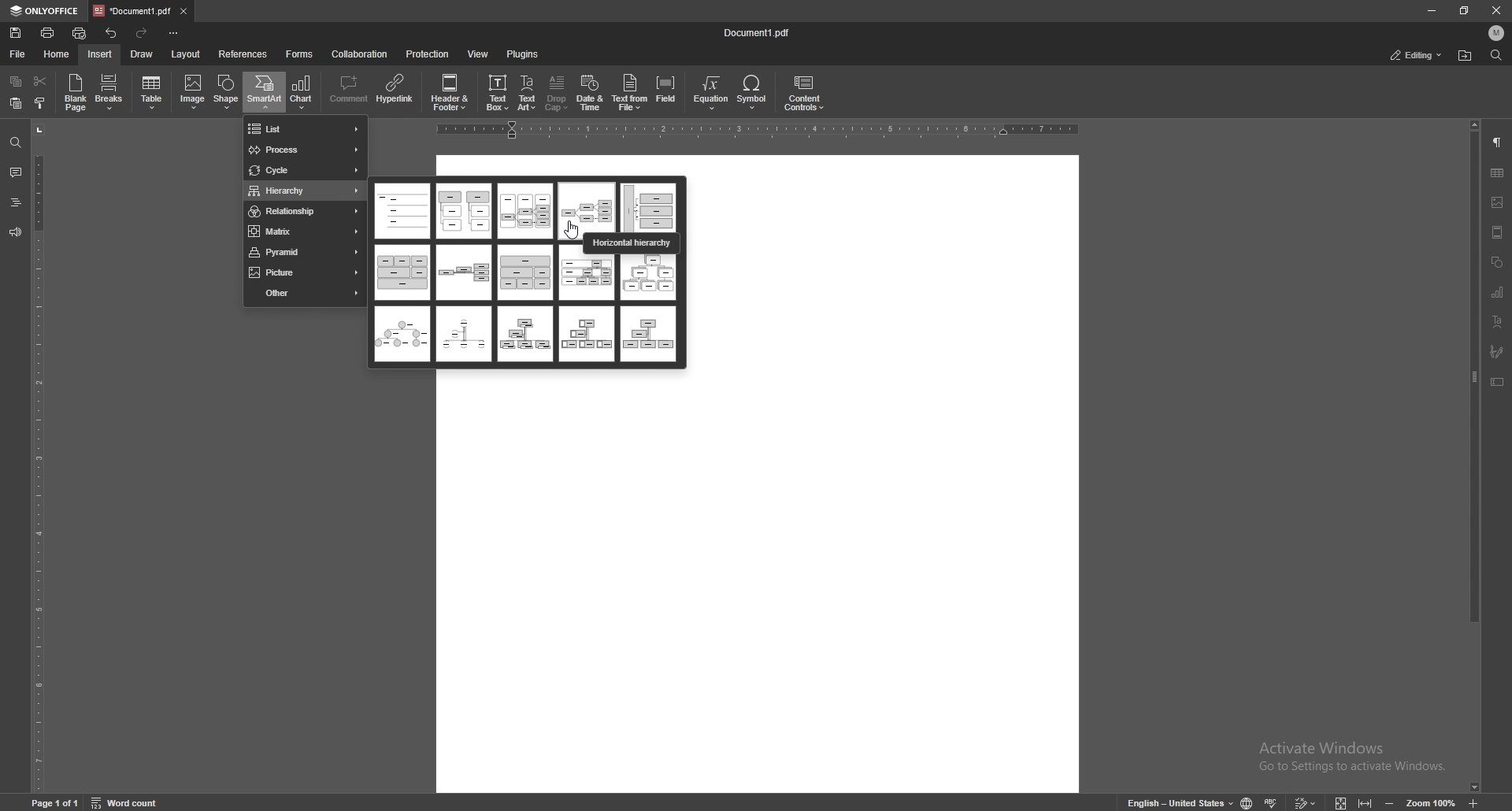  What do you see at coordinates (153, 93) in the screenshot?
I see `table` at bounding box center [153, 93].